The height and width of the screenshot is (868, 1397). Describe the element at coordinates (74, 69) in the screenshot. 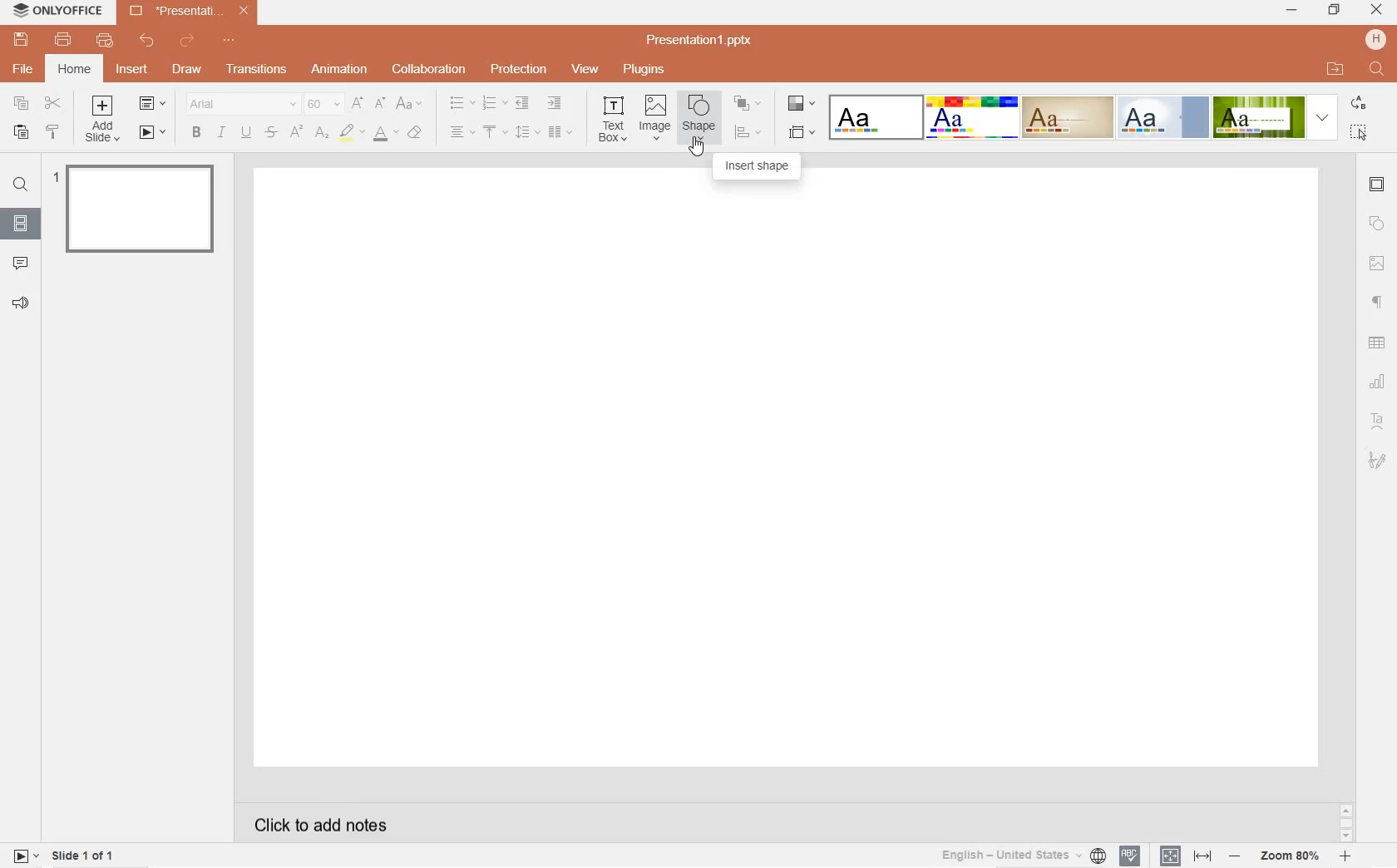

I see `home` at that location.